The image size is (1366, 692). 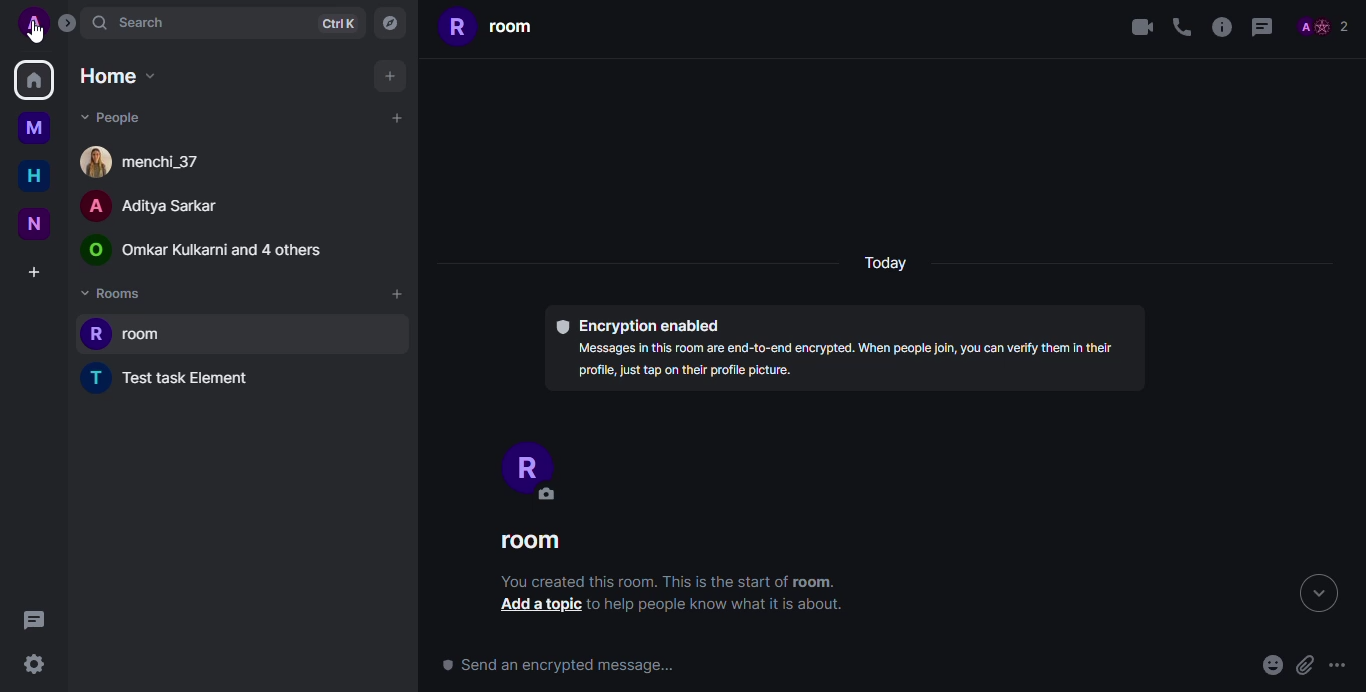 I want to click on to help people know what is this about., so click(x=723, y=606).